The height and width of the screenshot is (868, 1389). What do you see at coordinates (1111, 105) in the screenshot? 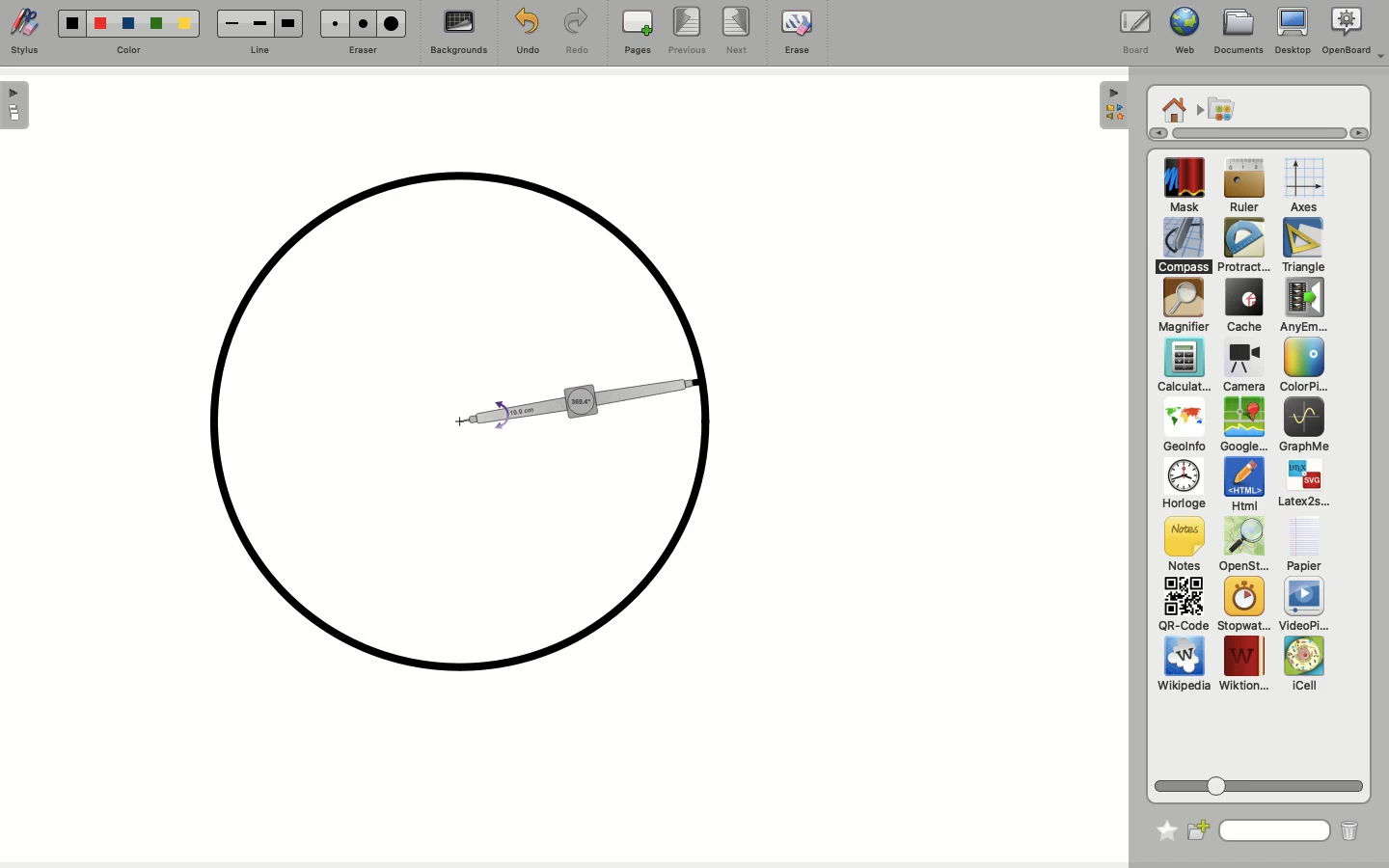
I see `hide sidebar` at bounding box center [1111, 105].